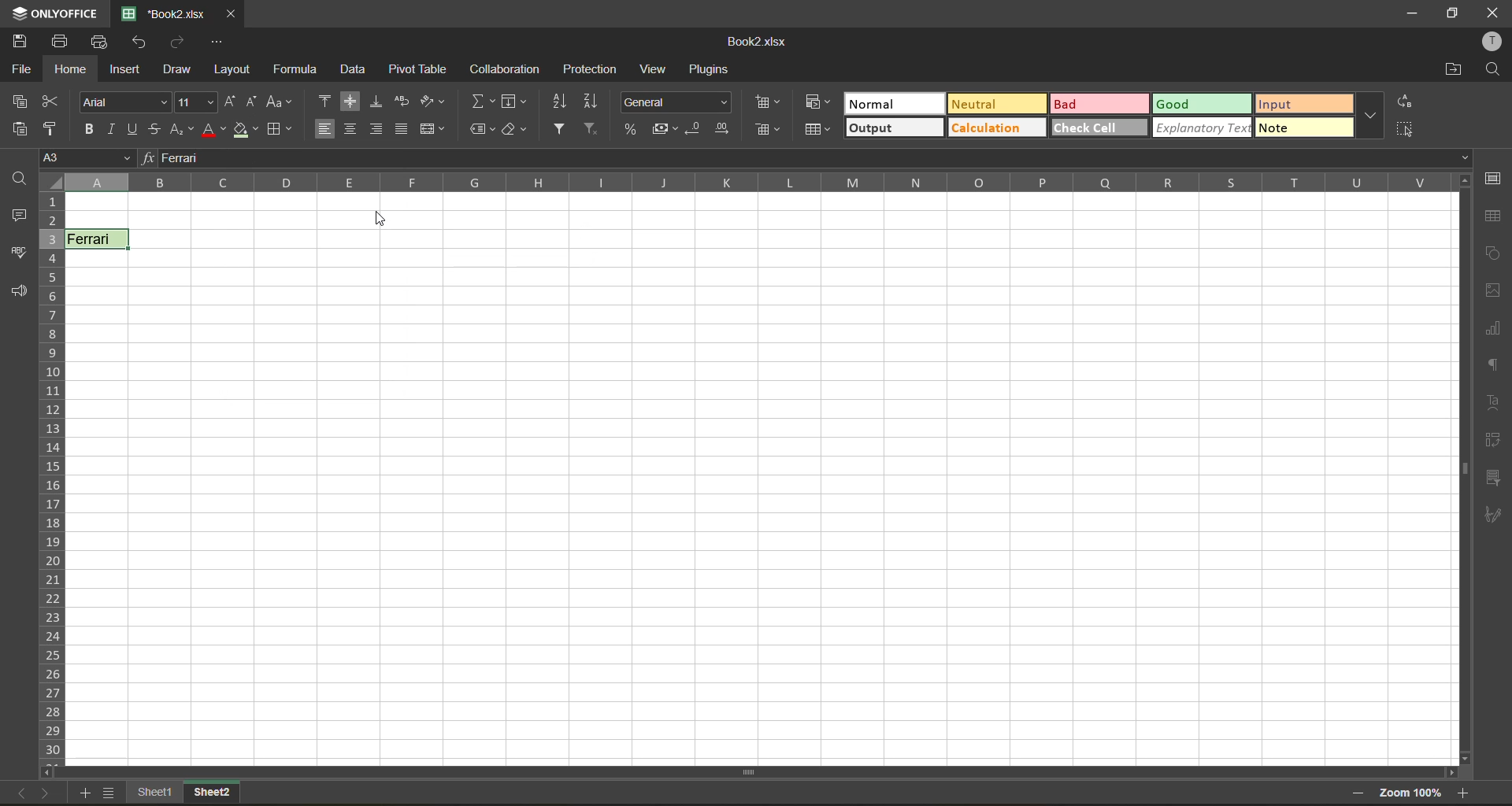 Image resolution: width=1512 pixels, height=806 pixels. What do you see at coordinates (1453, 15) in the screenshot?
I see `maximize` at bounding box center [1453, 15].